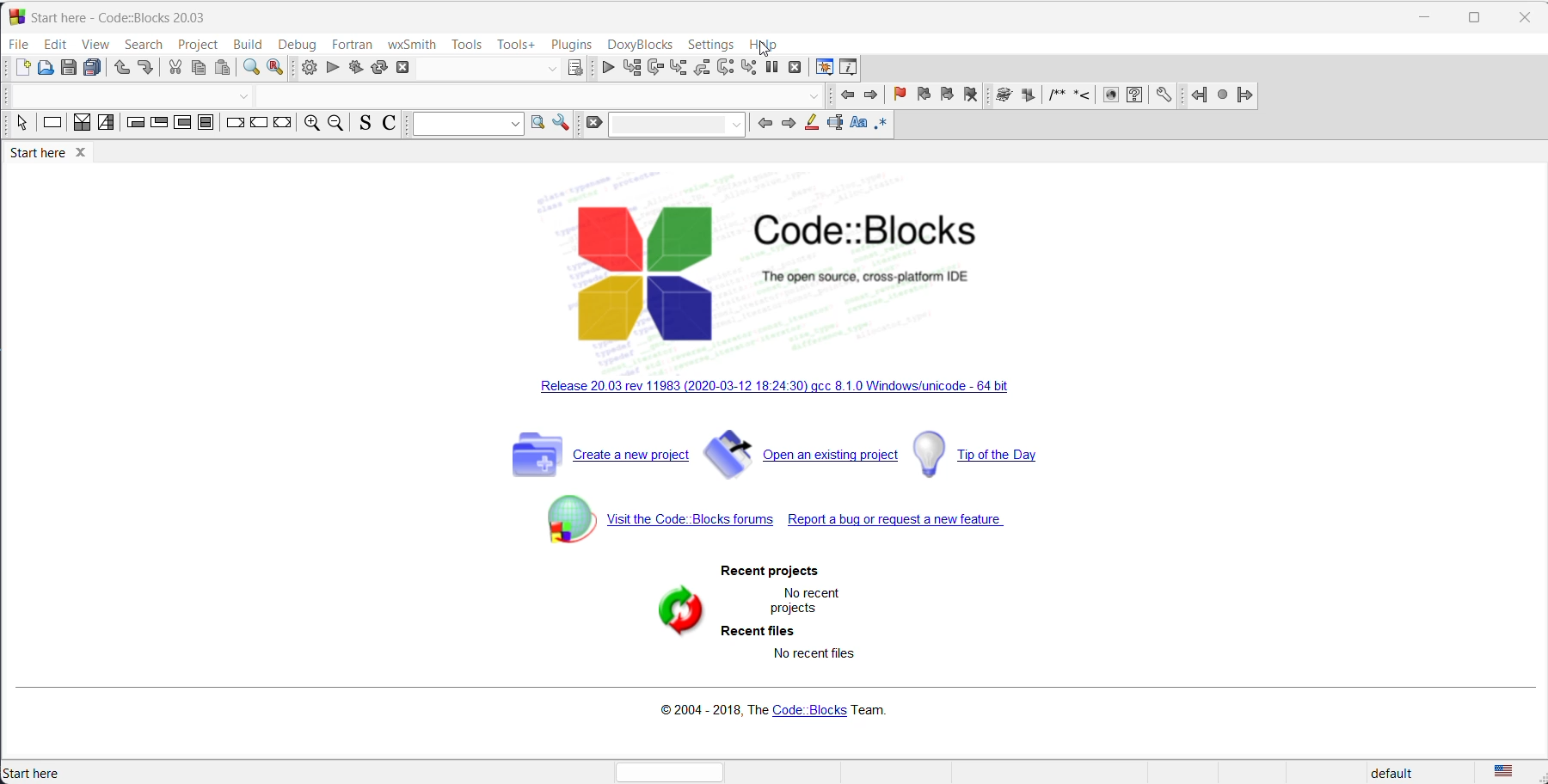  What do you see at coordinates (208, 126) in the screenshot?
I see `block instruction` at bounding box center [208, 126].